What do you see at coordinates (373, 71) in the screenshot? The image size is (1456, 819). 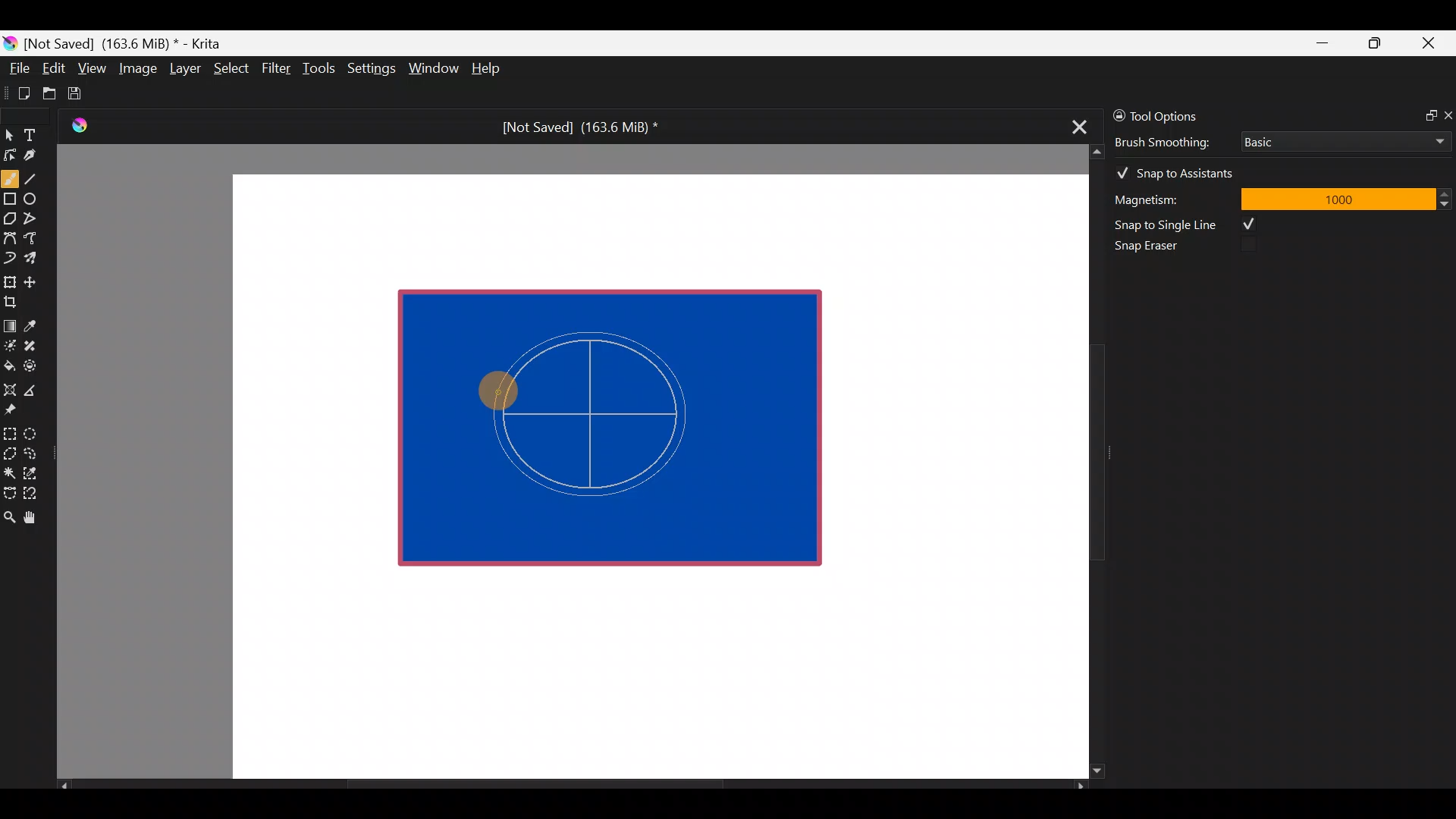 I see `Settings` at bounding box center [373, 71].